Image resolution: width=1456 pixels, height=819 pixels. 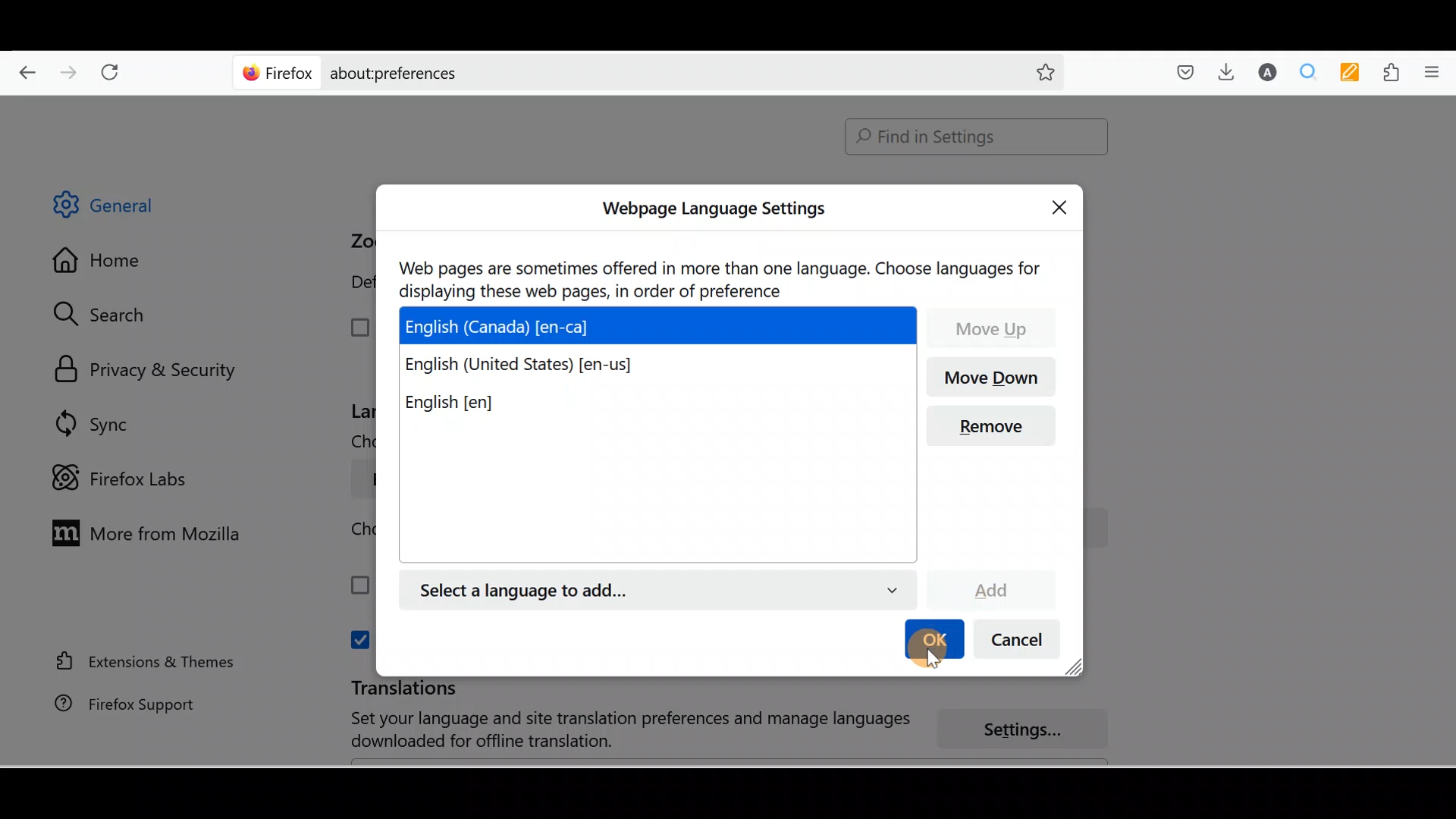 I want to click on Move up, so click(x=993, y=327).